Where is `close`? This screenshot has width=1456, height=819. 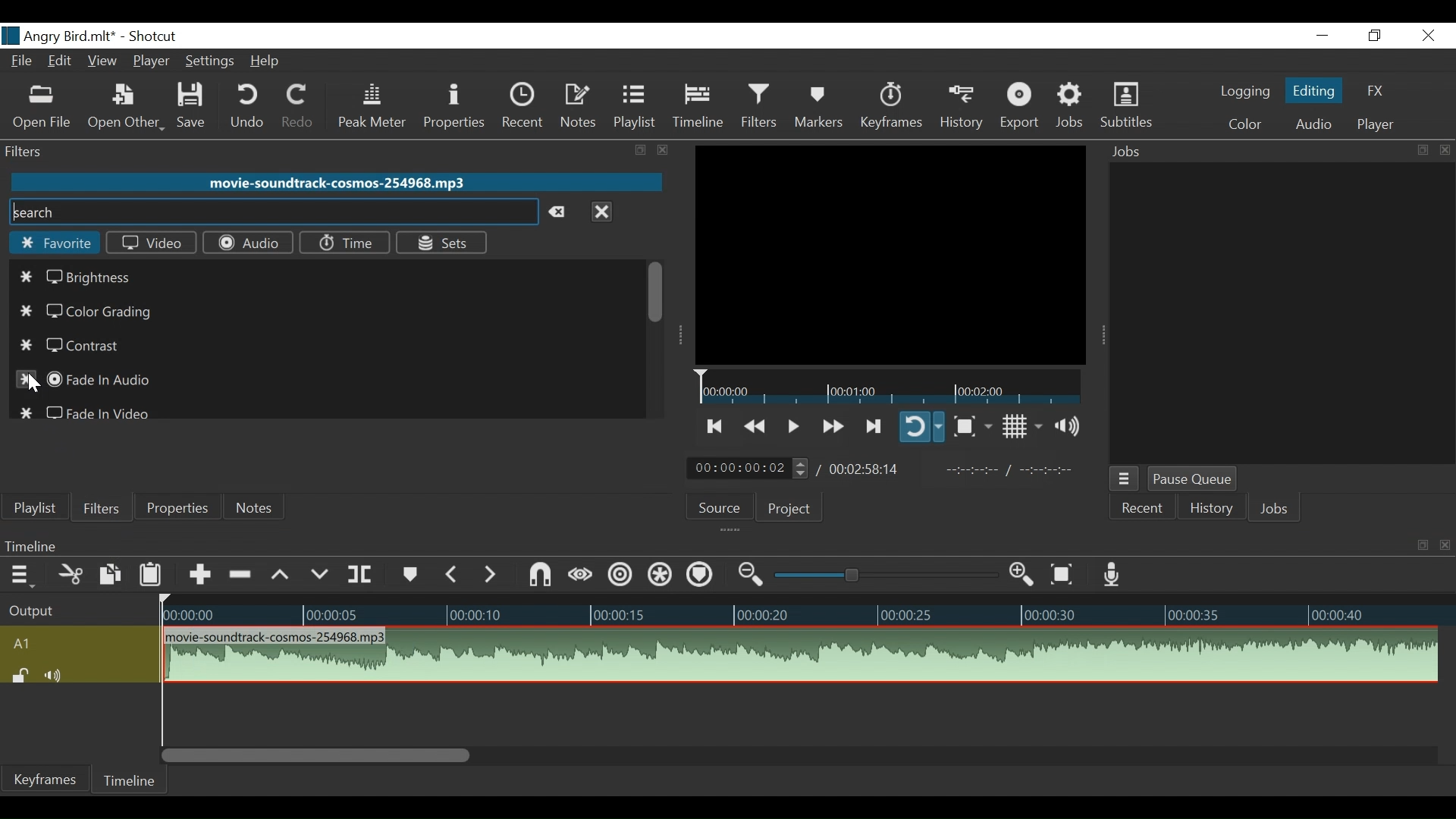
close is located at coordinates (1442, 149).